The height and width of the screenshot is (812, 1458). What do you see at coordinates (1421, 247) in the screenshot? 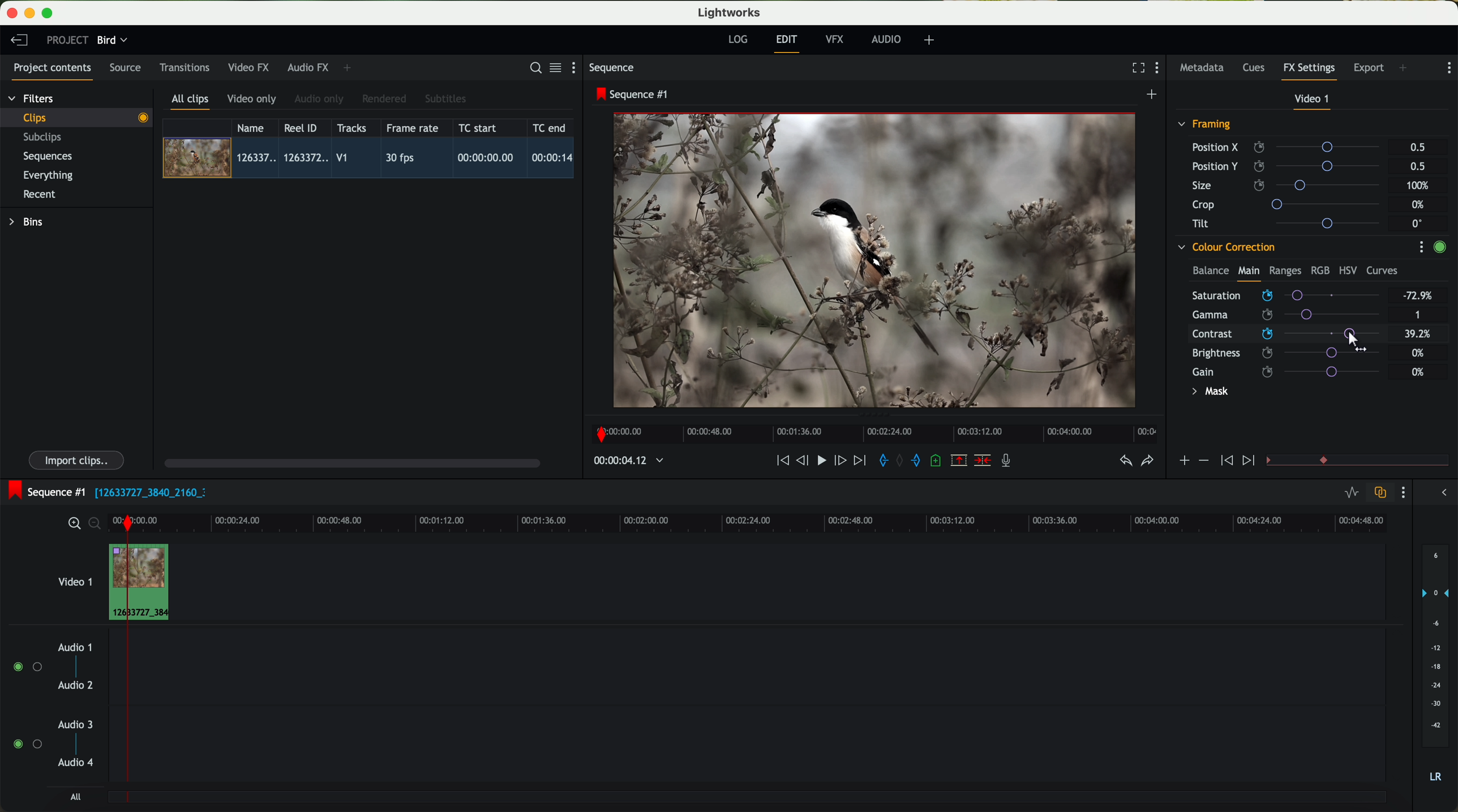
I see `show settings menu` at bounding box center [1421, 247].